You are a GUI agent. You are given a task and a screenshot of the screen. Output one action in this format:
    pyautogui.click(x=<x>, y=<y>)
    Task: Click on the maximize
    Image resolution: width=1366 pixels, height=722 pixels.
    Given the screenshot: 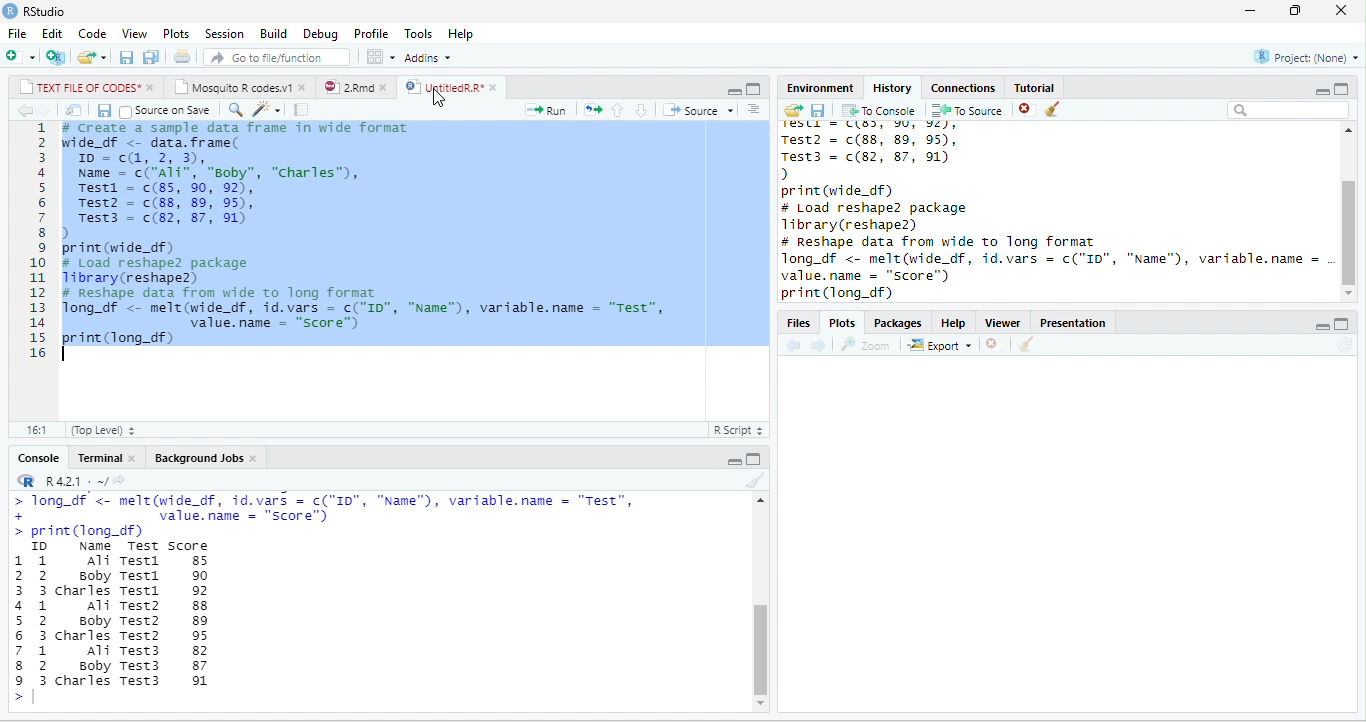 What is the action you would take?
    pyautogui.click(x=1343, y=324)
    